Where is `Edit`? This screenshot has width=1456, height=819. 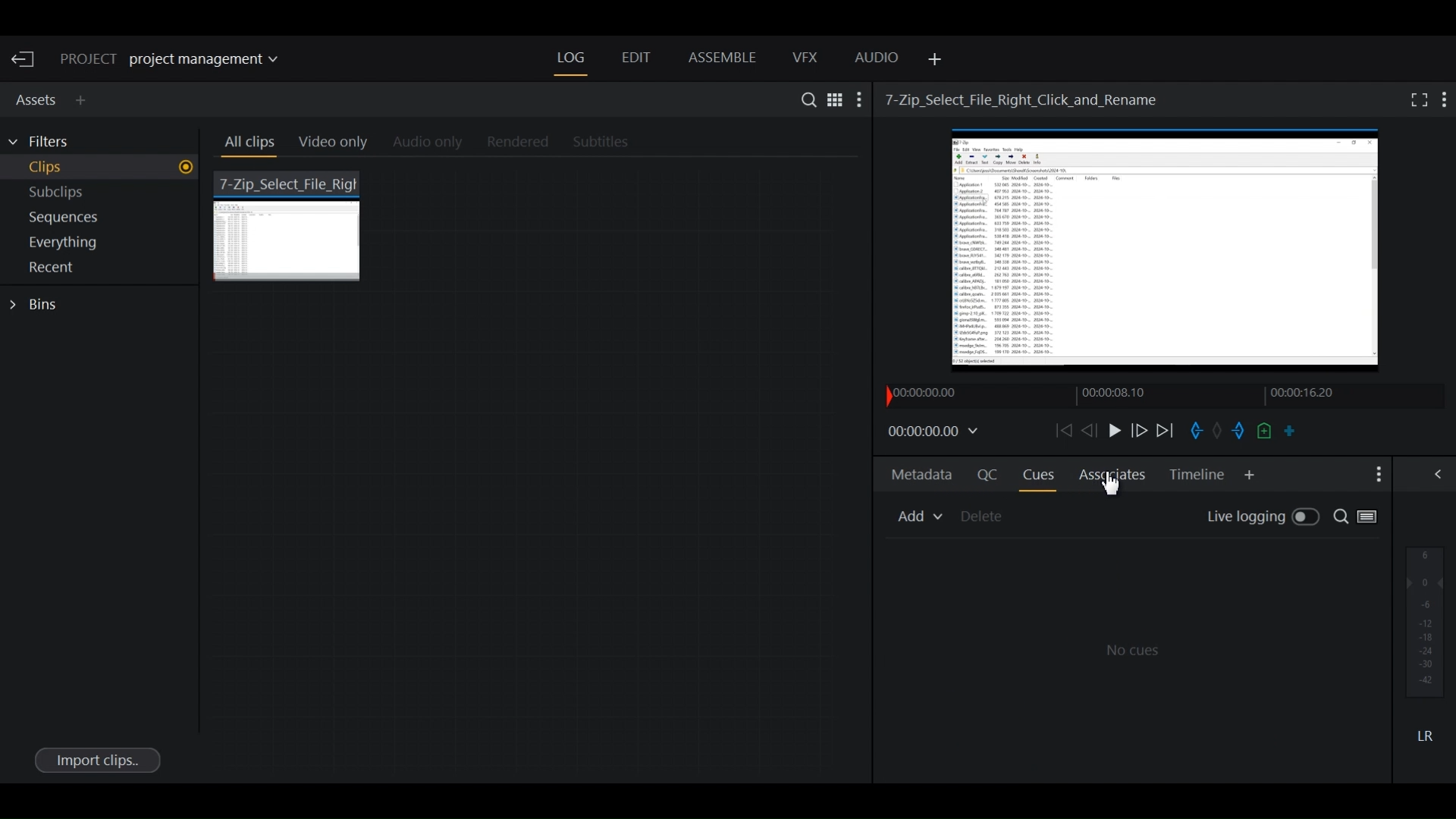
Edit is located at coordinates (635, 59).